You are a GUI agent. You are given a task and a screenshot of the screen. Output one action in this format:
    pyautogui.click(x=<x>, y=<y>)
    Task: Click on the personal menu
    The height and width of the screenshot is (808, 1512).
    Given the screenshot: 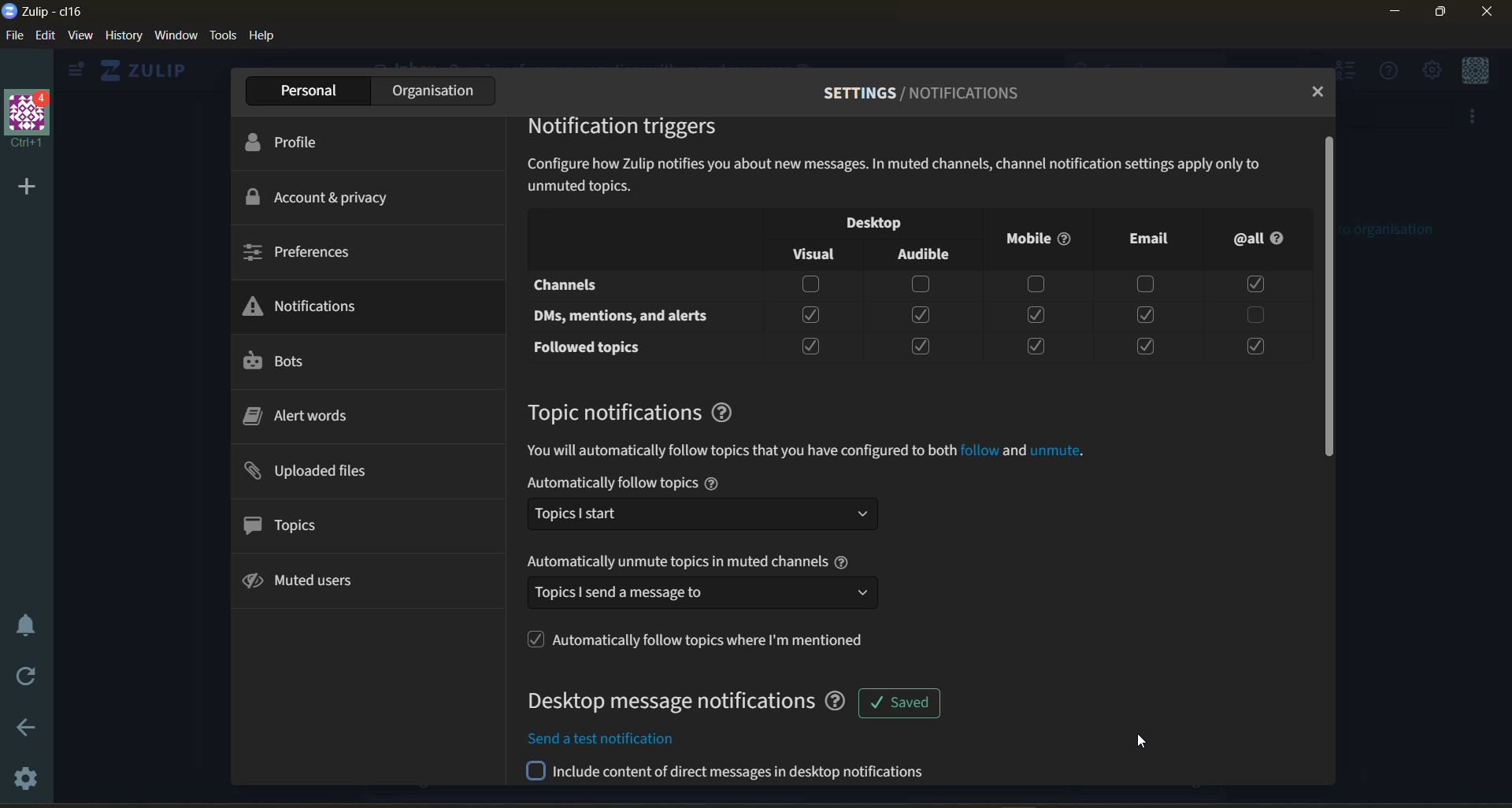 What is the action you would take?
    pyautogui.click(x=1475, y=70)
    